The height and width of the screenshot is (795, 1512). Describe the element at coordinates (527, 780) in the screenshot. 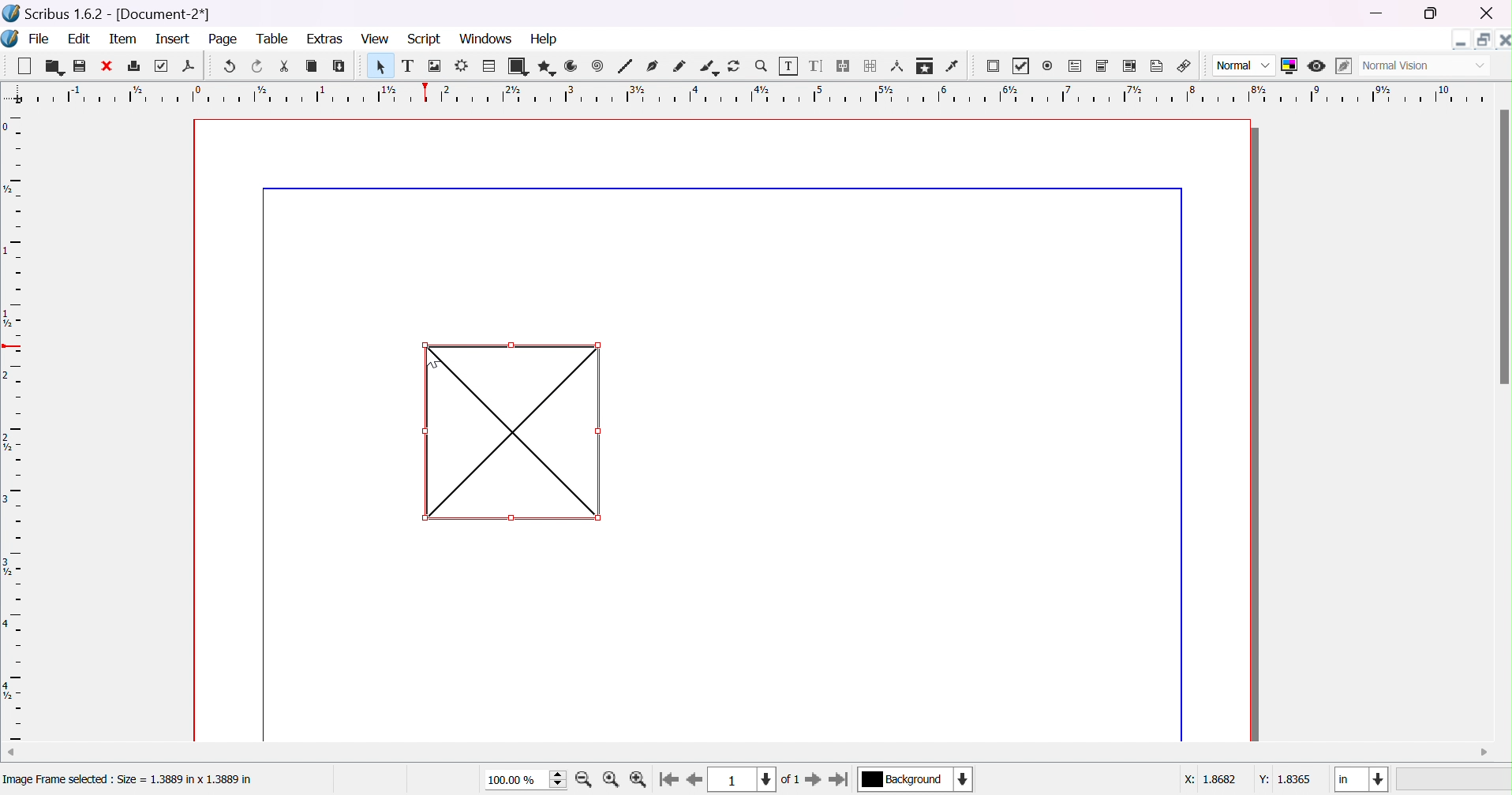

I see `100.00%` at that location.